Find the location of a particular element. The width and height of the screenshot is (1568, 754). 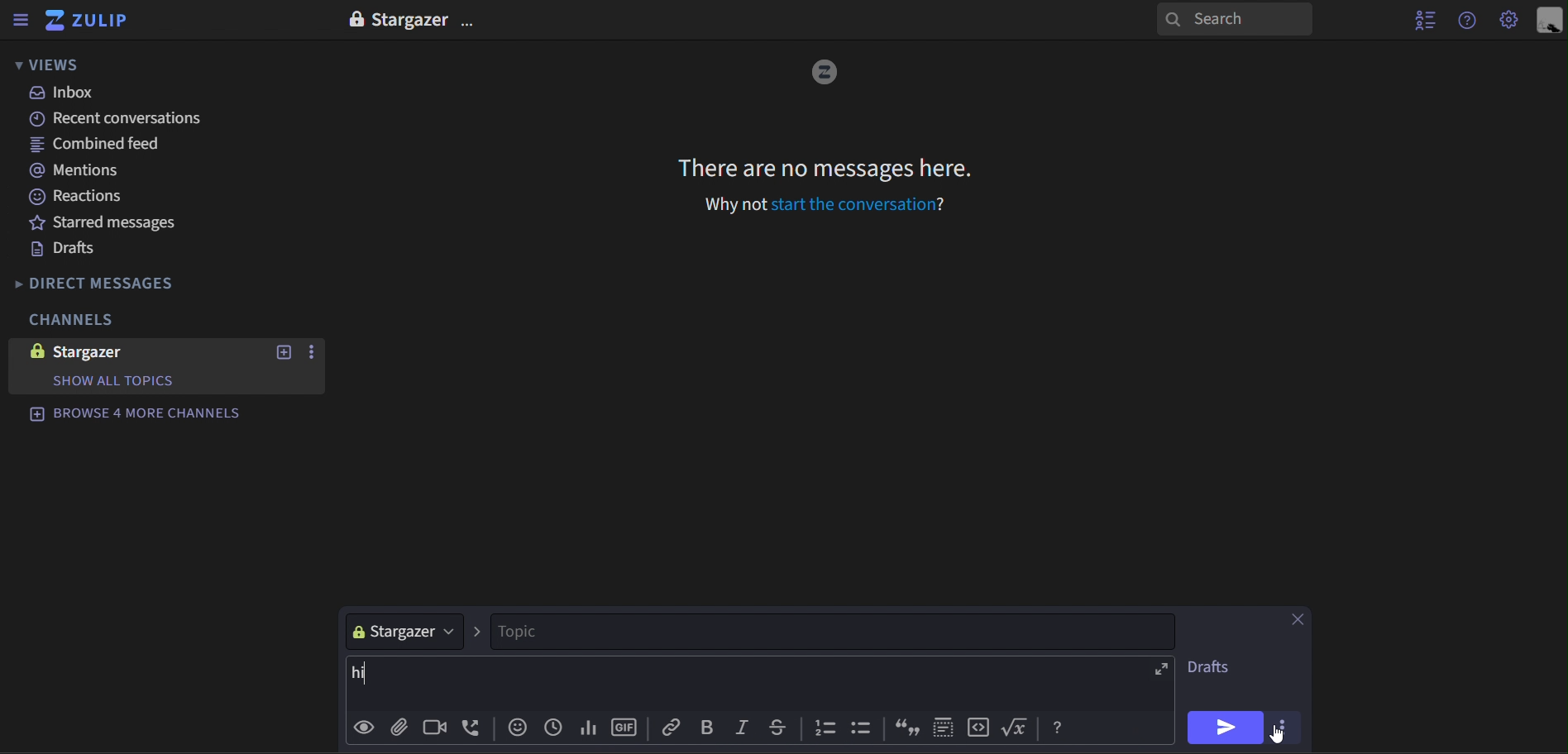

lock is located at coordinates (355, 19).